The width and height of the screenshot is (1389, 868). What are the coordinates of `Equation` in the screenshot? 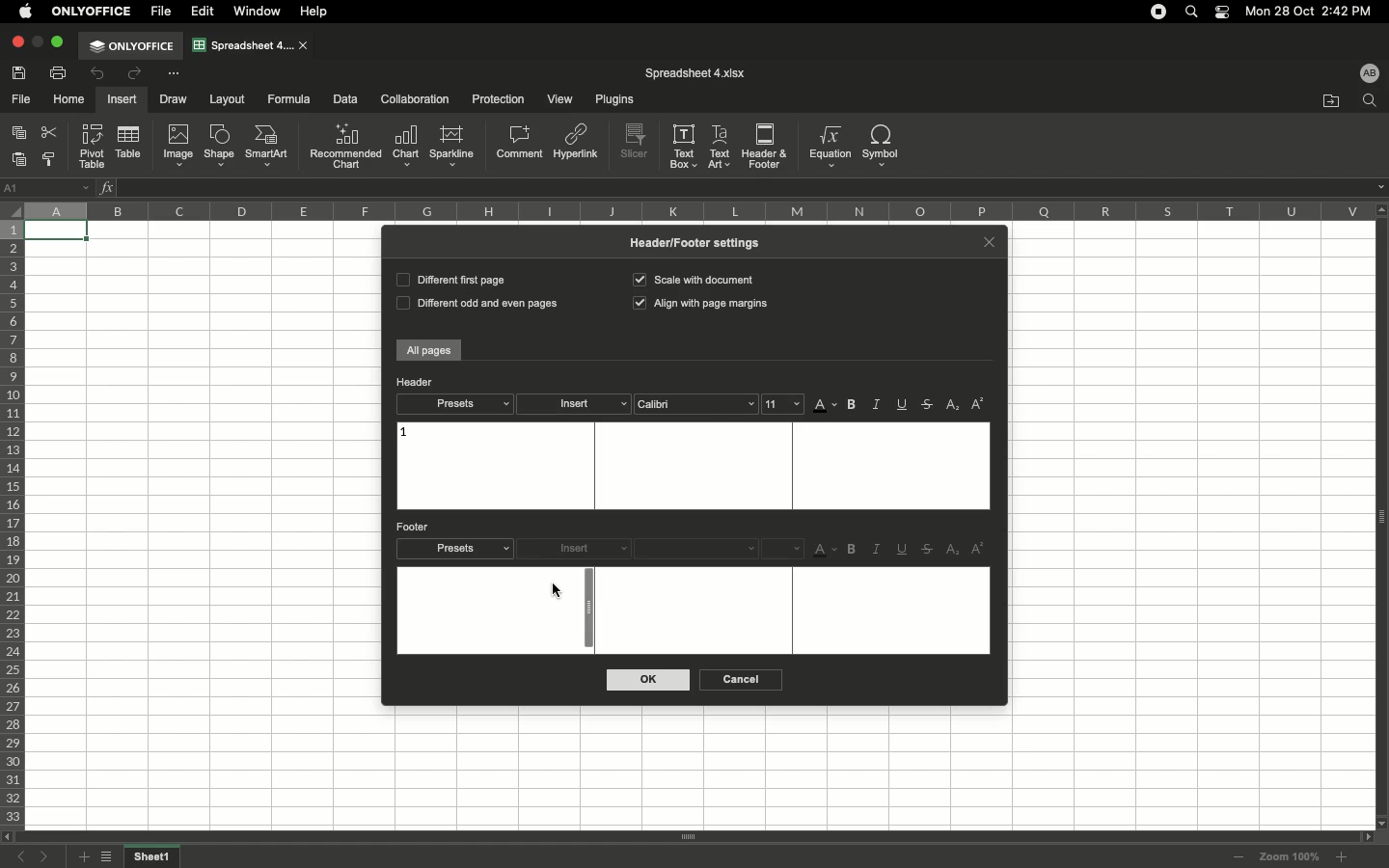 It's located at (828, 146).